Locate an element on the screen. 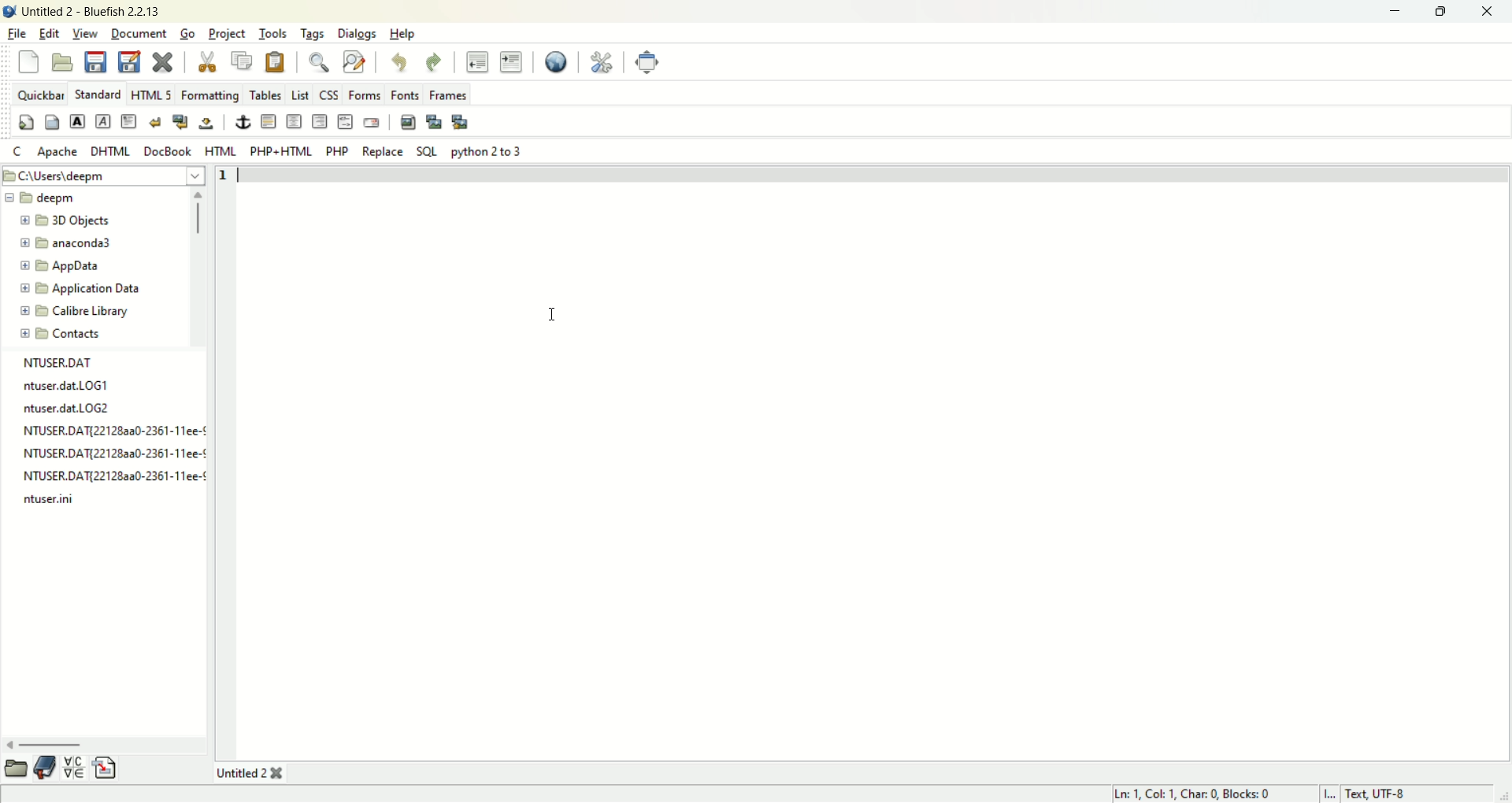  insert file is located at coordinates (106, 768).